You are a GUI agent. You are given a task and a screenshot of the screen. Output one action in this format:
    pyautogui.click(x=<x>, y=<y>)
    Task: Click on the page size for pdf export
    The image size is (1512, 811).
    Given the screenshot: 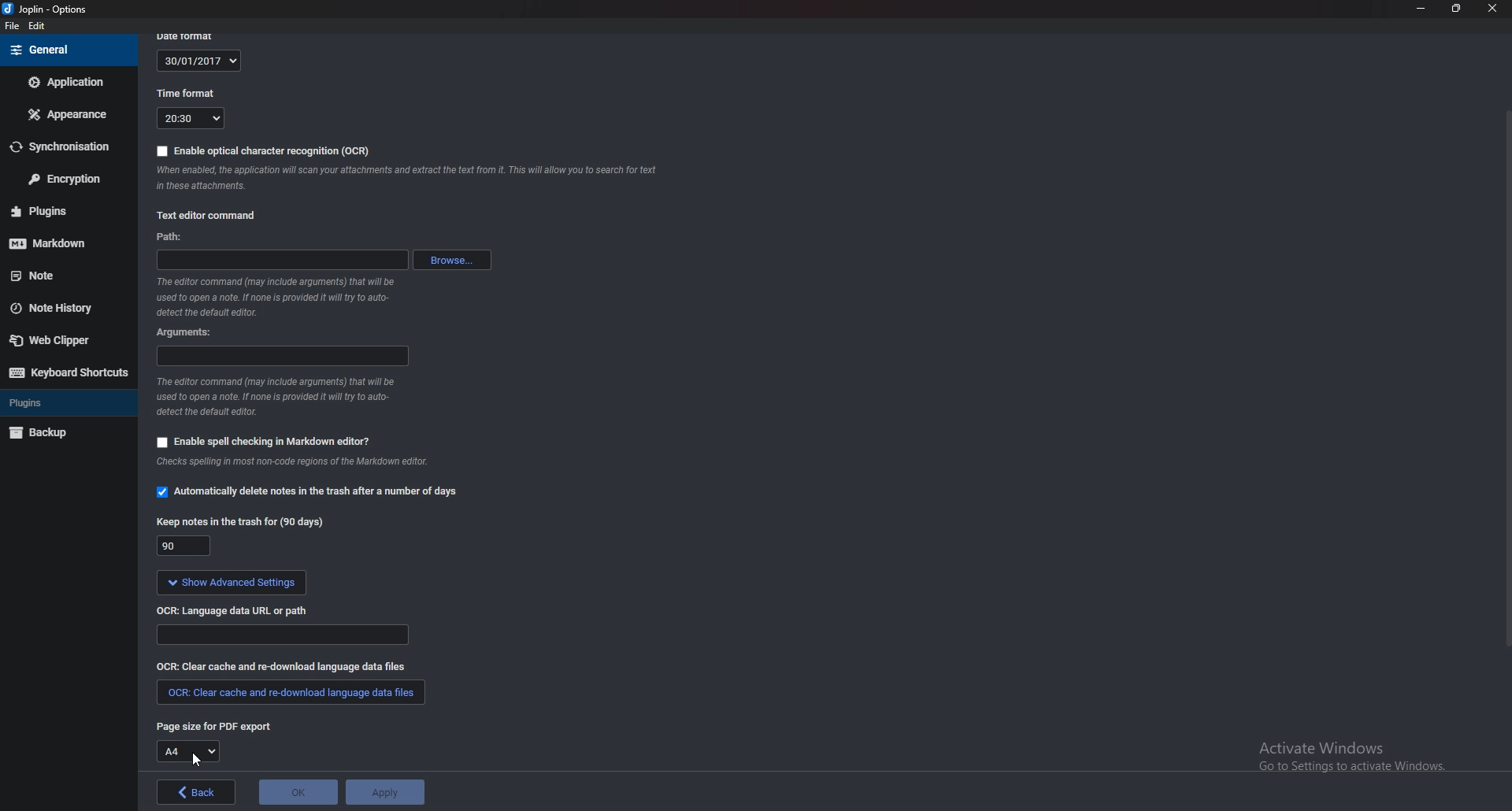 What is the action you would take?
    pyautogui.click(x=213, y=726)
    